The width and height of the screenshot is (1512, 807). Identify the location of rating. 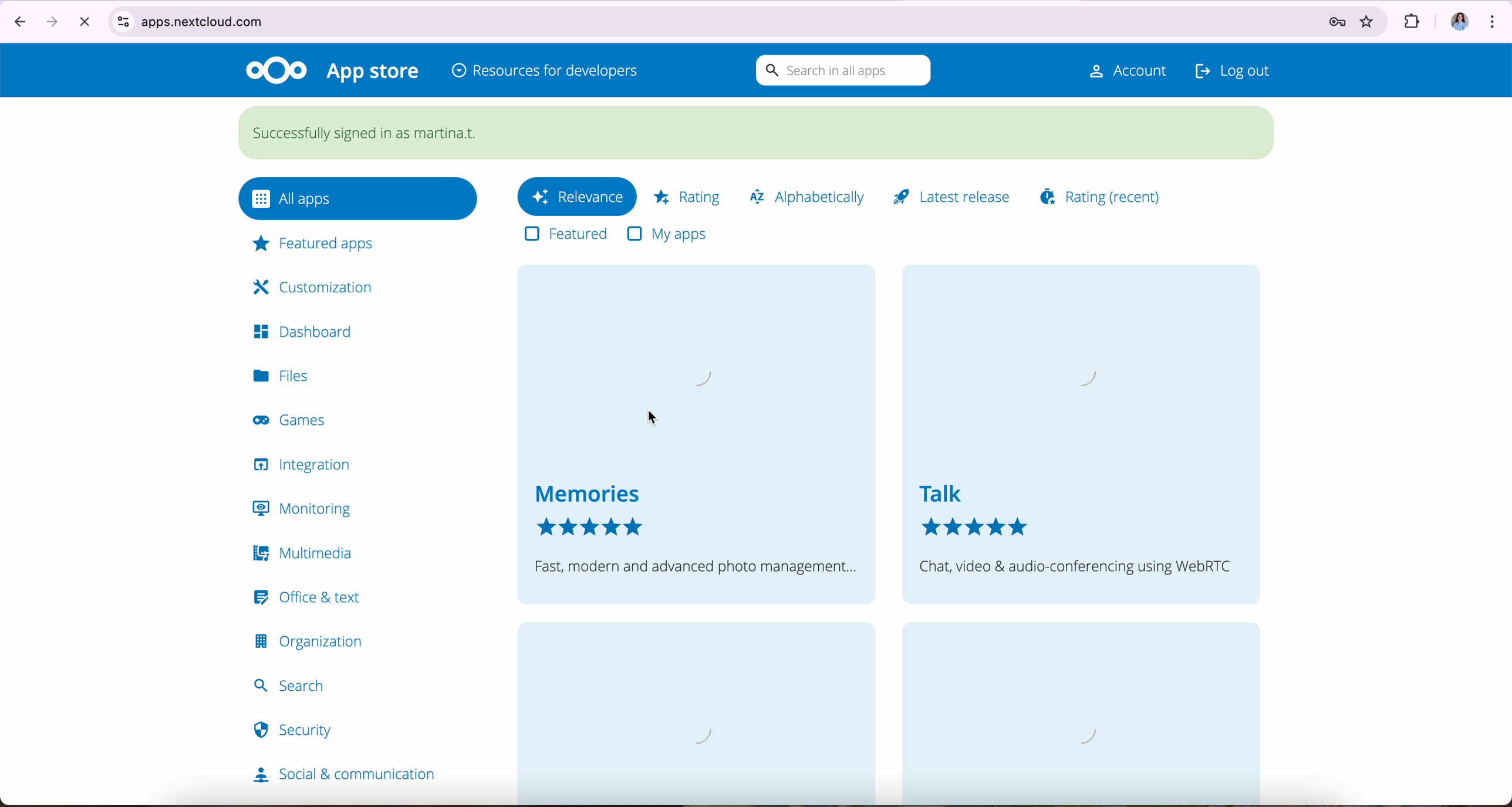
(686, 193).